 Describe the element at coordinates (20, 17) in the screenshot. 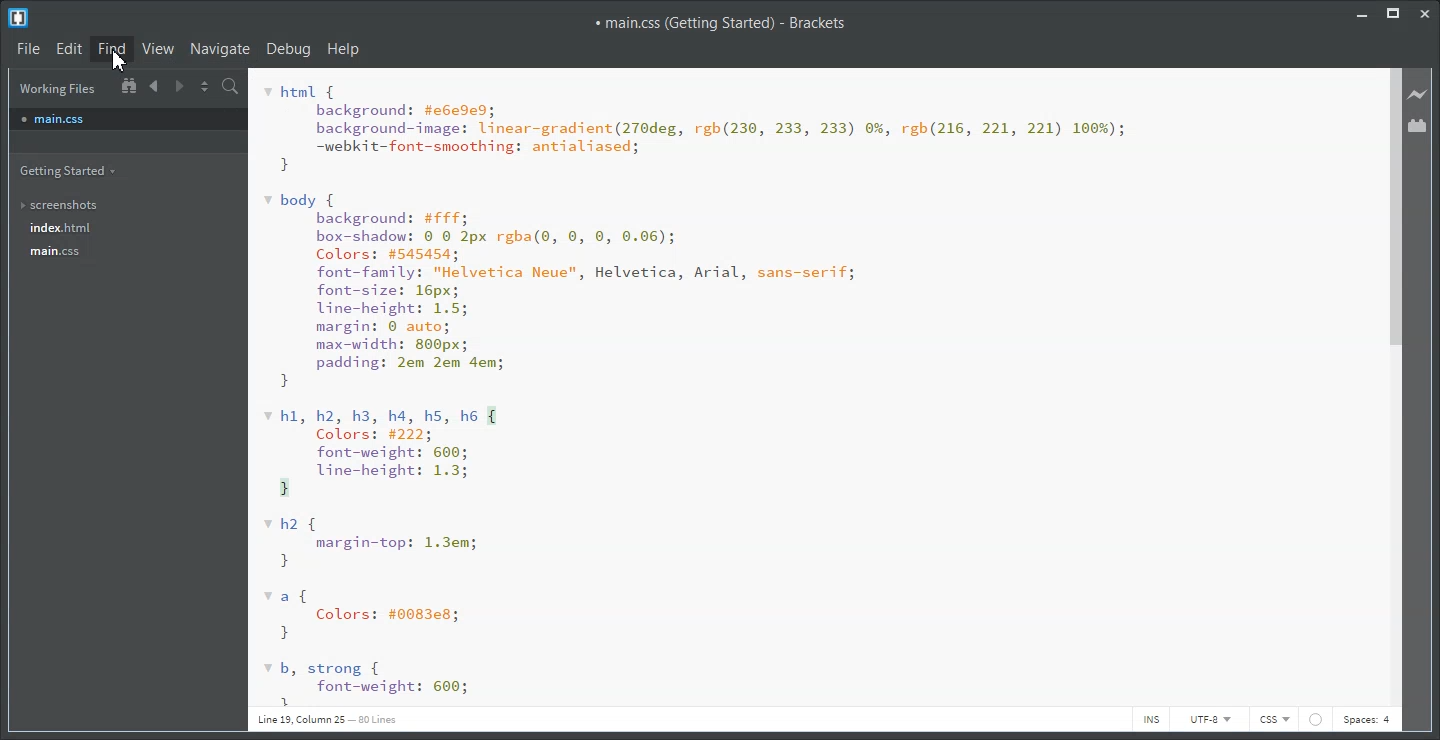

I see `Logo` at that location.